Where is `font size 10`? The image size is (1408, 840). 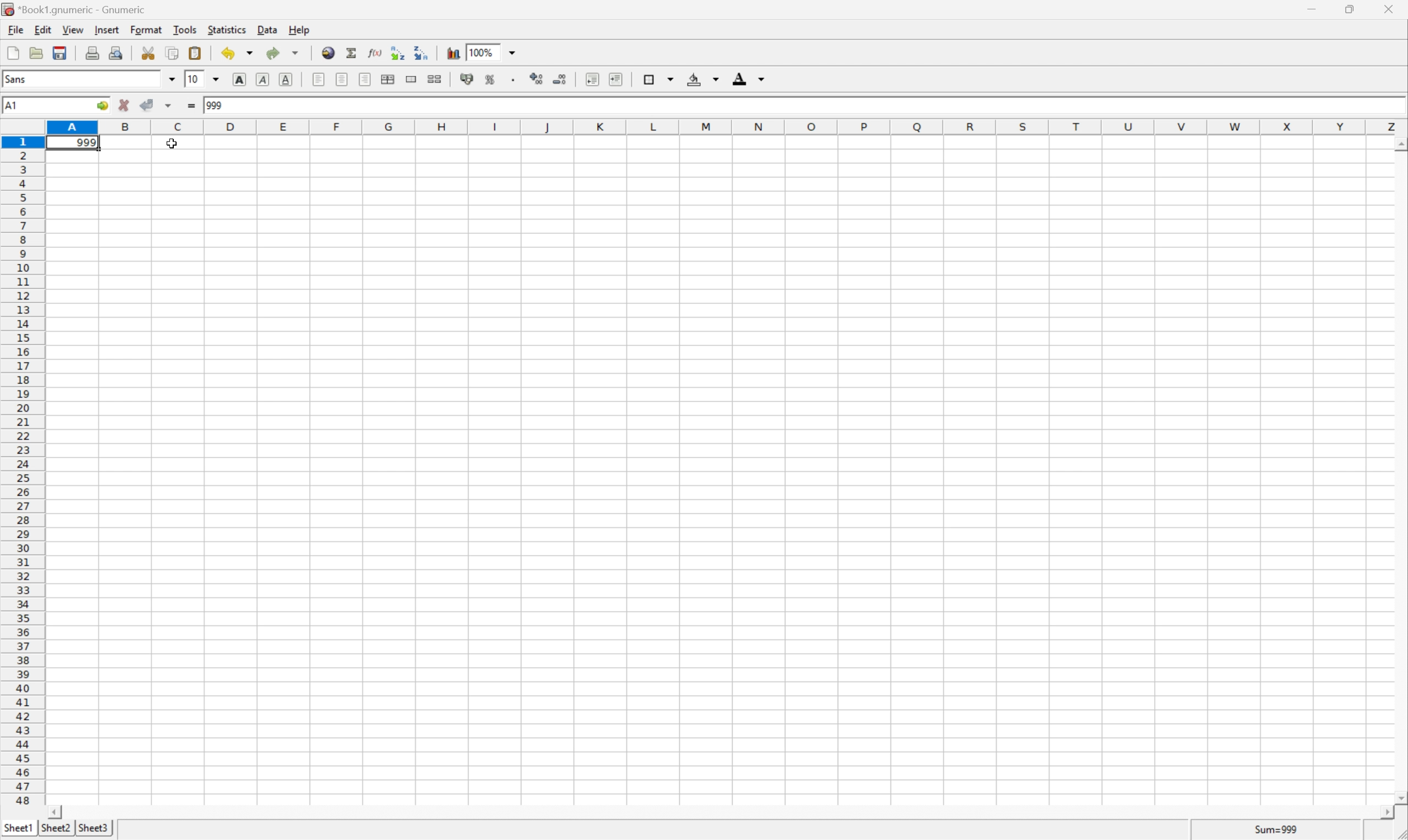 font size 10 is located at coordinates (203, 79).